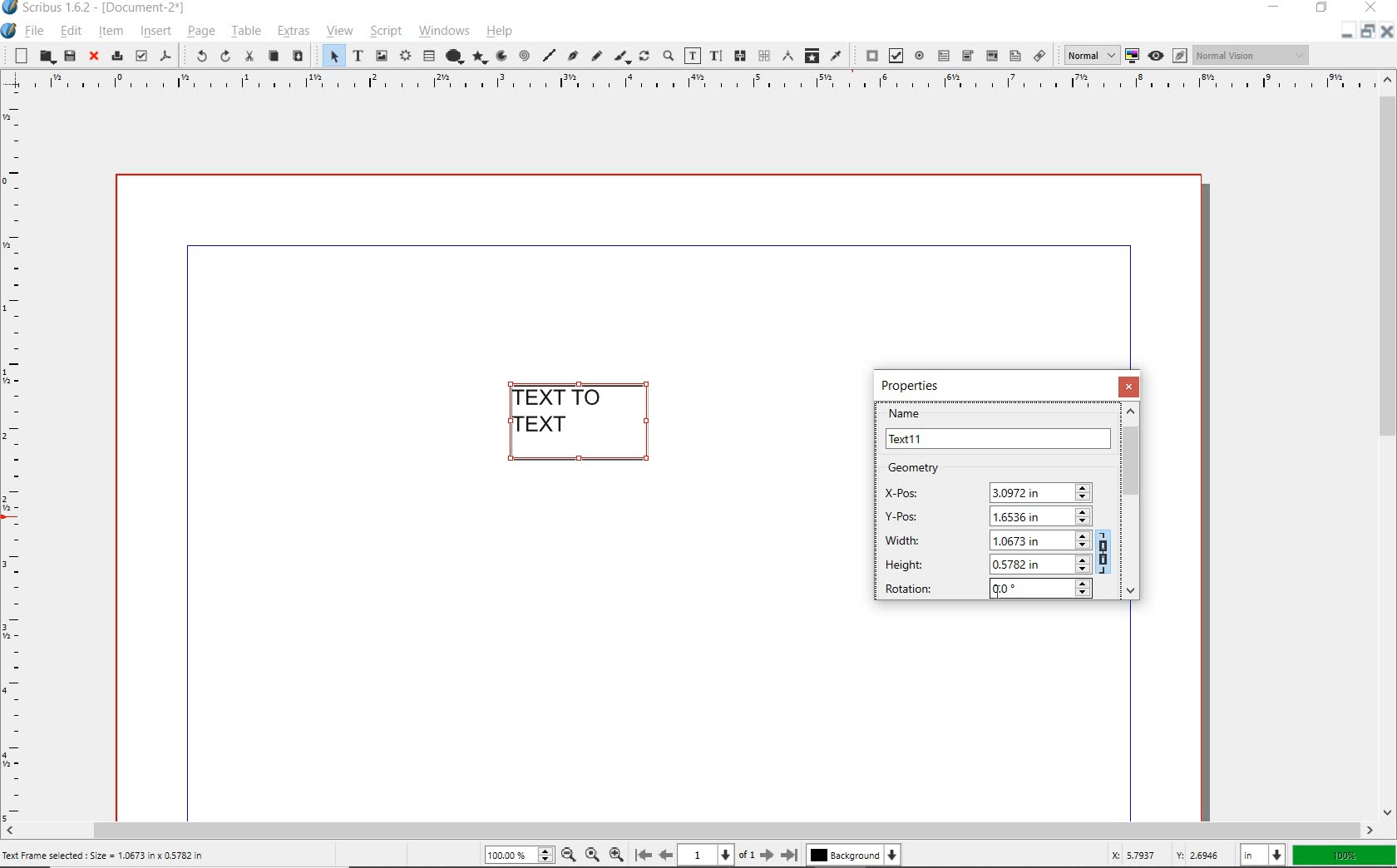  Describe the element at coordinates (770, 857) in the screenshot. I see `move to next` at that location.